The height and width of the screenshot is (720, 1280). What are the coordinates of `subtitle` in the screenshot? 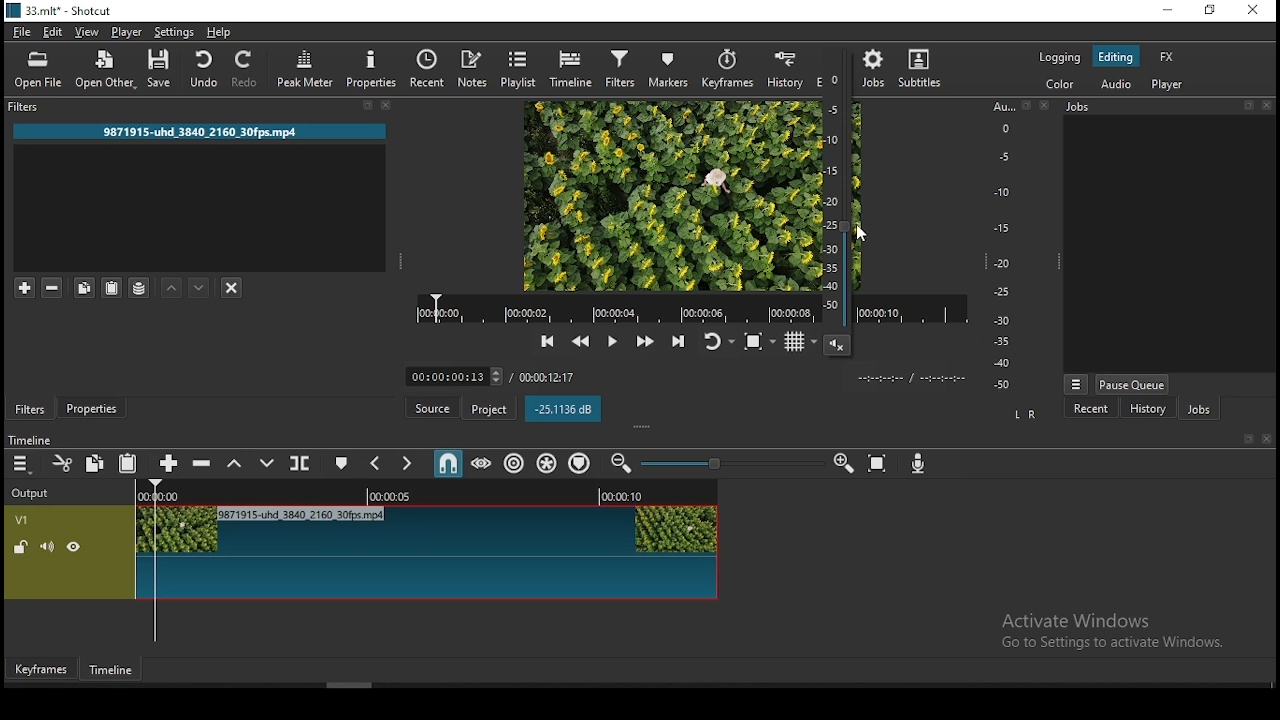 It's located at (924, 66).